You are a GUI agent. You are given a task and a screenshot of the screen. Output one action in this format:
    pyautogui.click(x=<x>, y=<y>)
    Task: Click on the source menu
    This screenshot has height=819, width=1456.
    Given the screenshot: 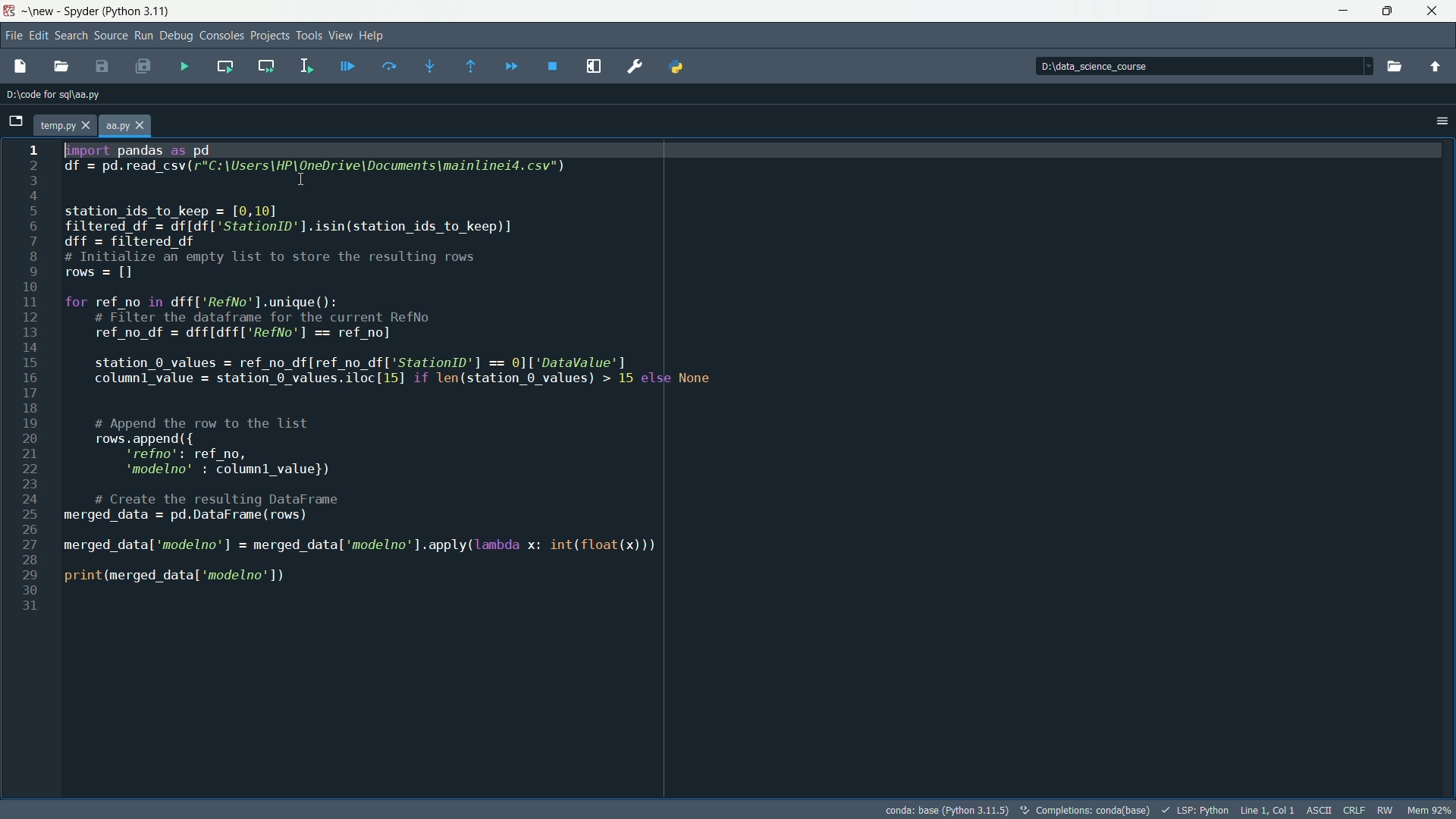 What is the action you would take?
    pyautogui.click(x=111, y=35)
    